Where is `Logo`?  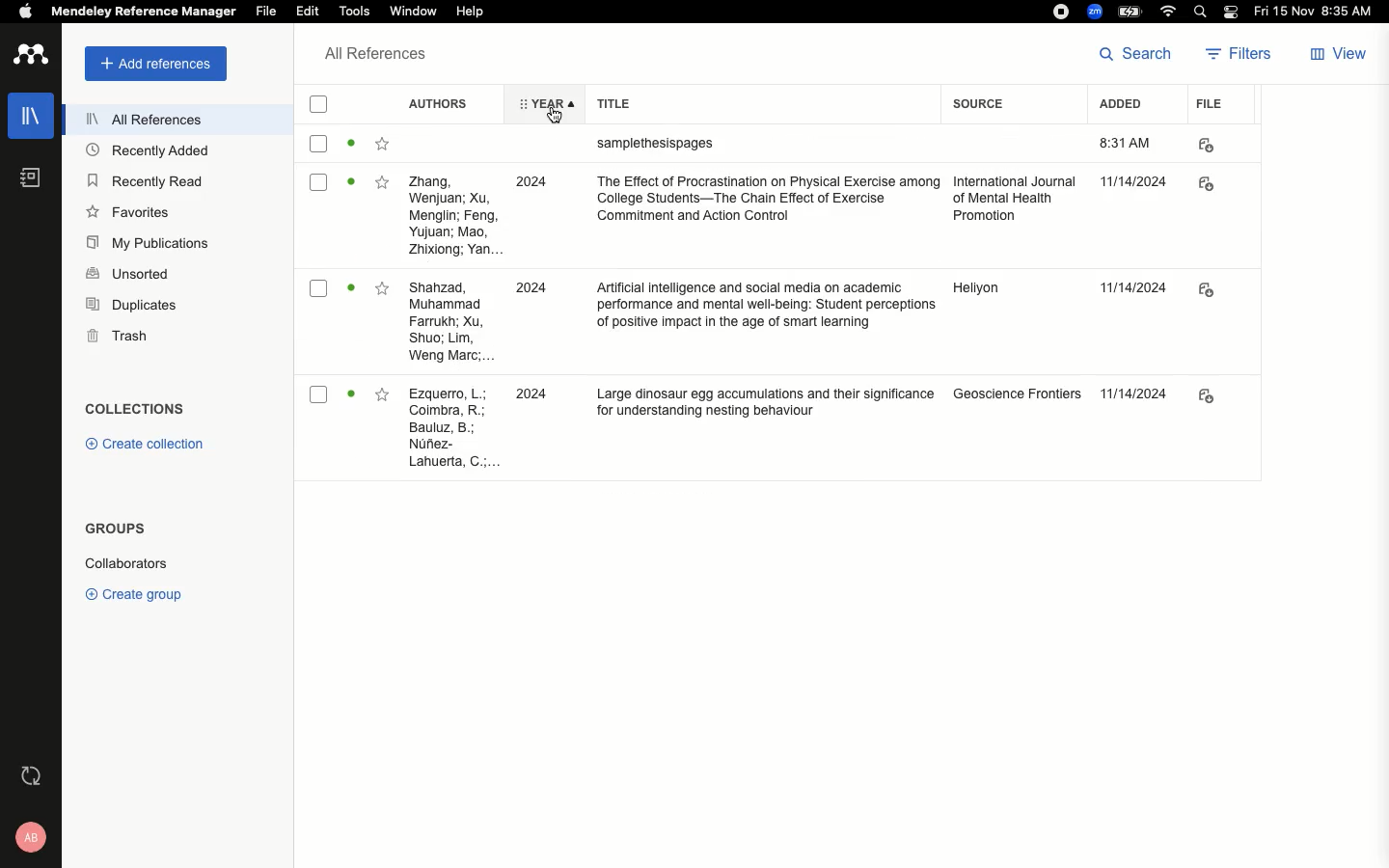 Logo is located at coordinates (28, 54).